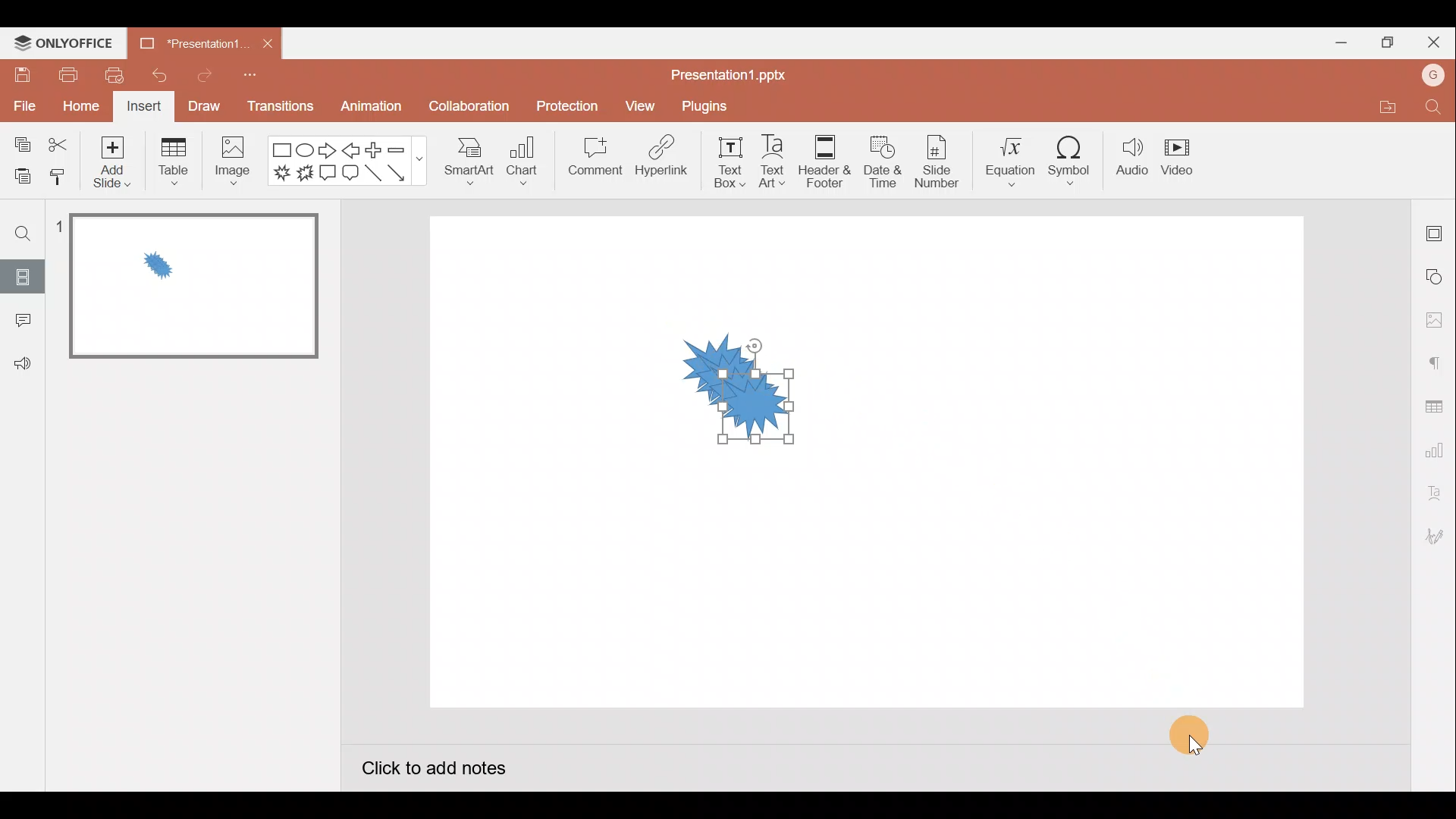 The image size is (1456, 819). Describe the element at coordinates (352, 149) in the screenshot. I see `Left arrow` at that location.